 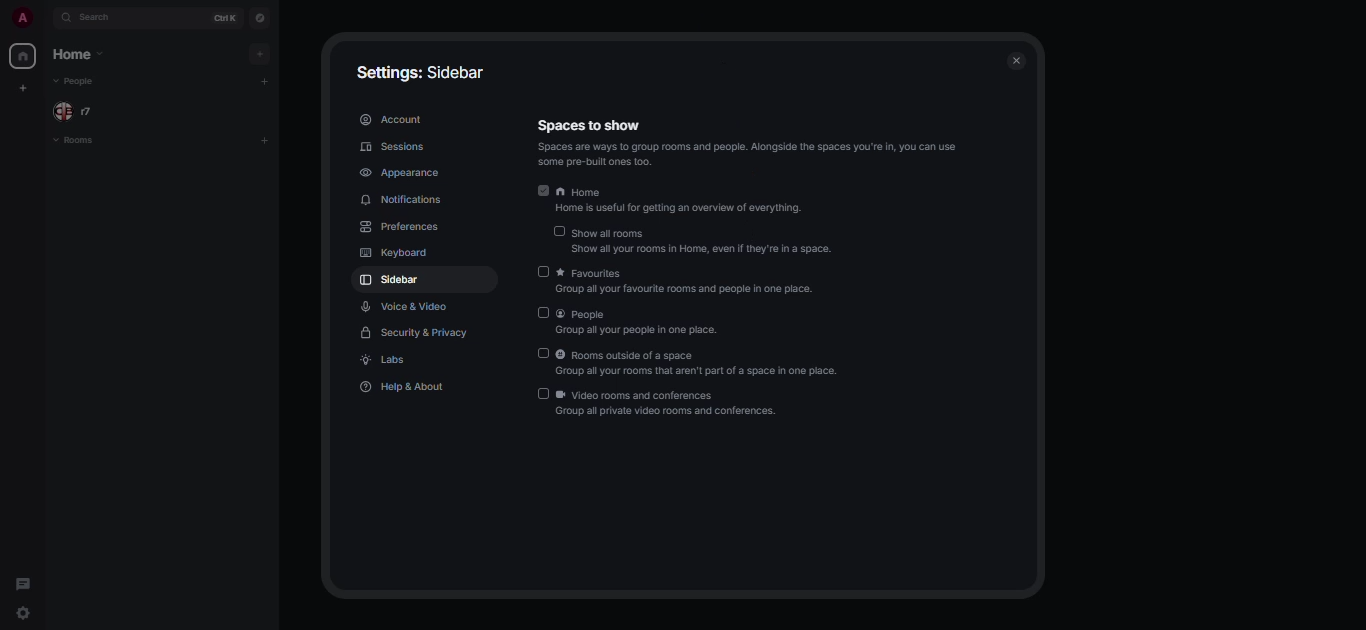 What do you see at coordinates (404, 227) in the screenshot?
I see `preferences` at bounding box center [404, 227].